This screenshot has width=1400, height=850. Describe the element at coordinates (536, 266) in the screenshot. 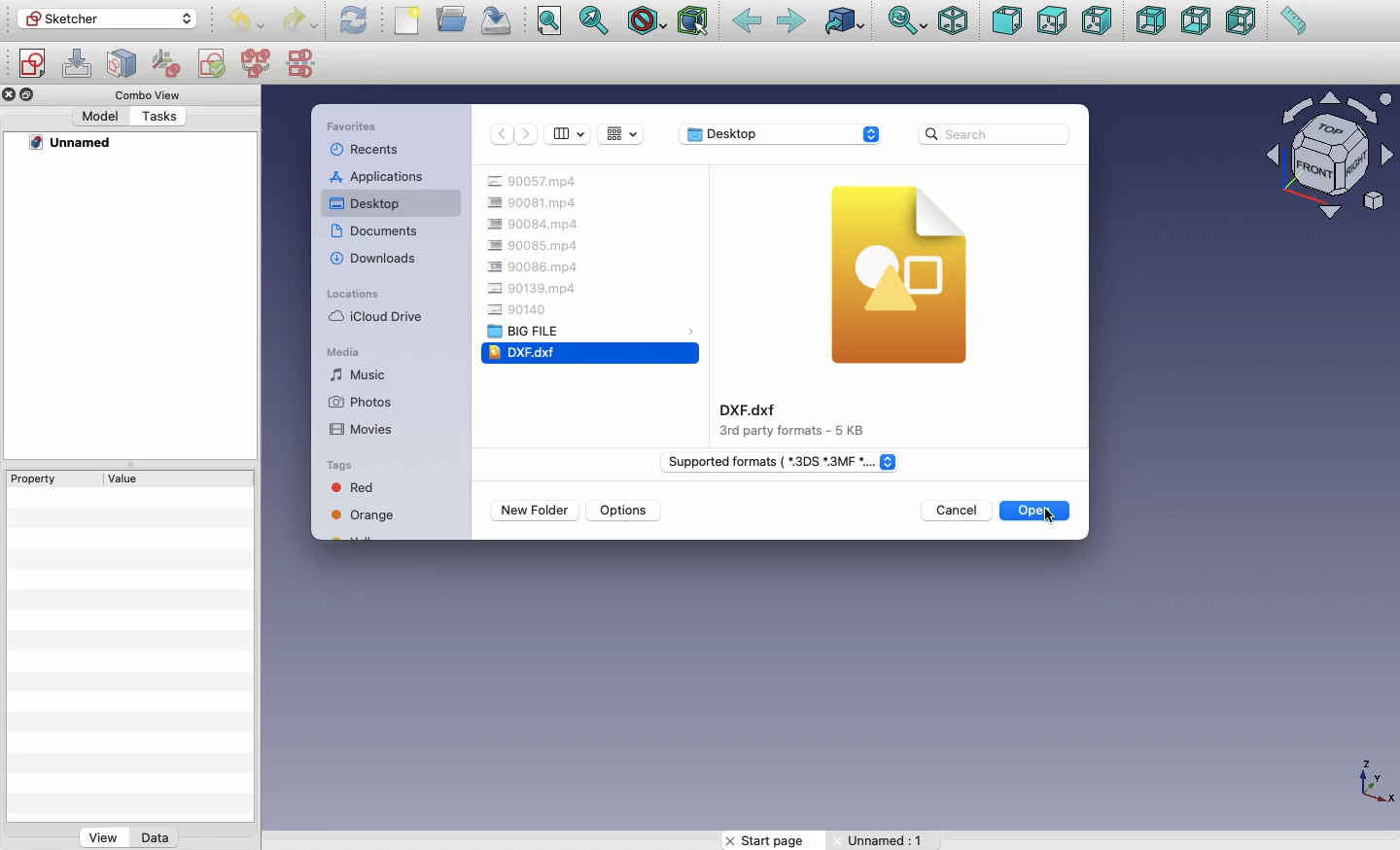

I see `90086.mp4` at that location.